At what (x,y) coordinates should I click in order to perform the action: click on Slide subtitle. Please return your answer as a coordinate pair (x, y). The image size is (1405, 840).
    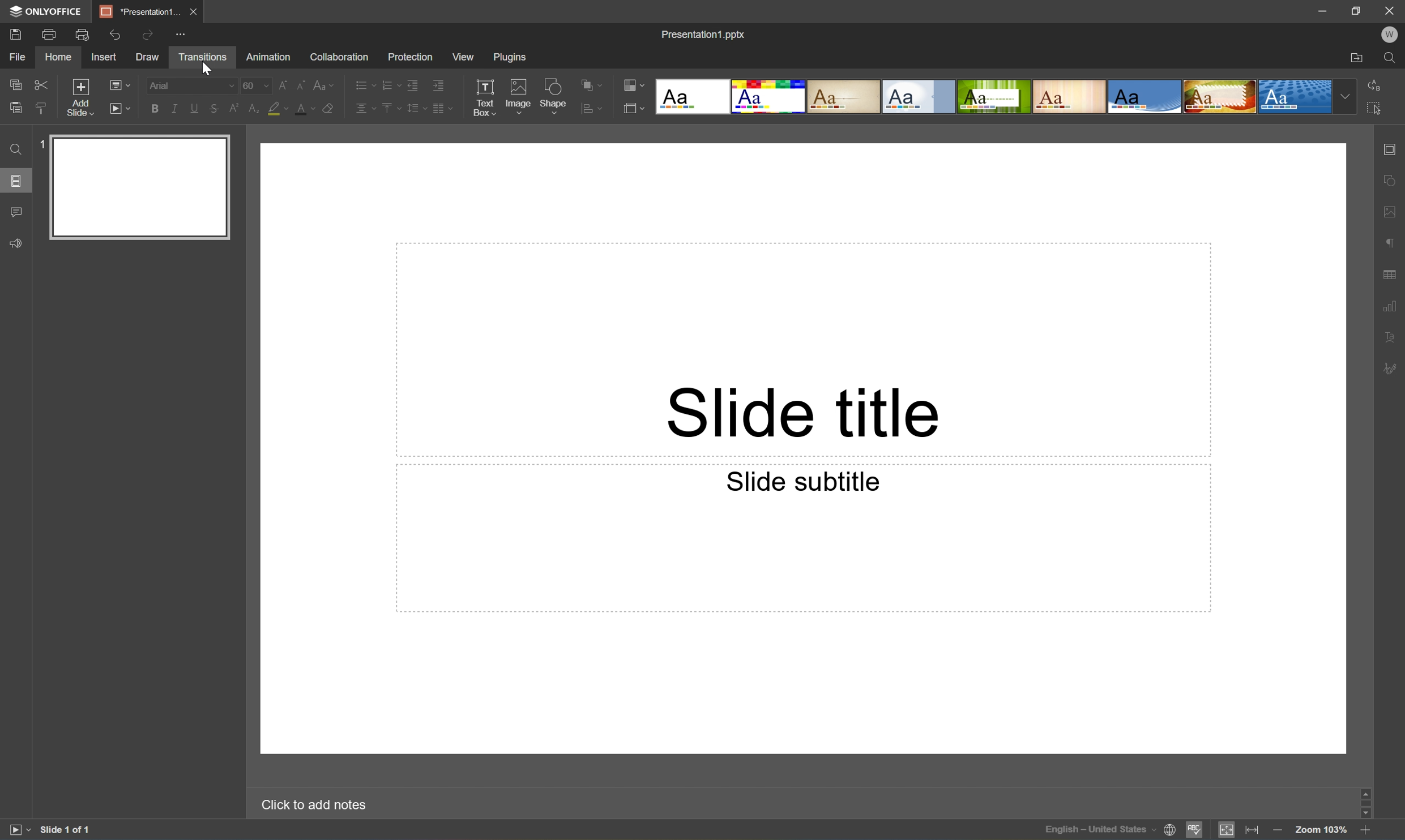
    Looking at the image, I should click on (802, 484).